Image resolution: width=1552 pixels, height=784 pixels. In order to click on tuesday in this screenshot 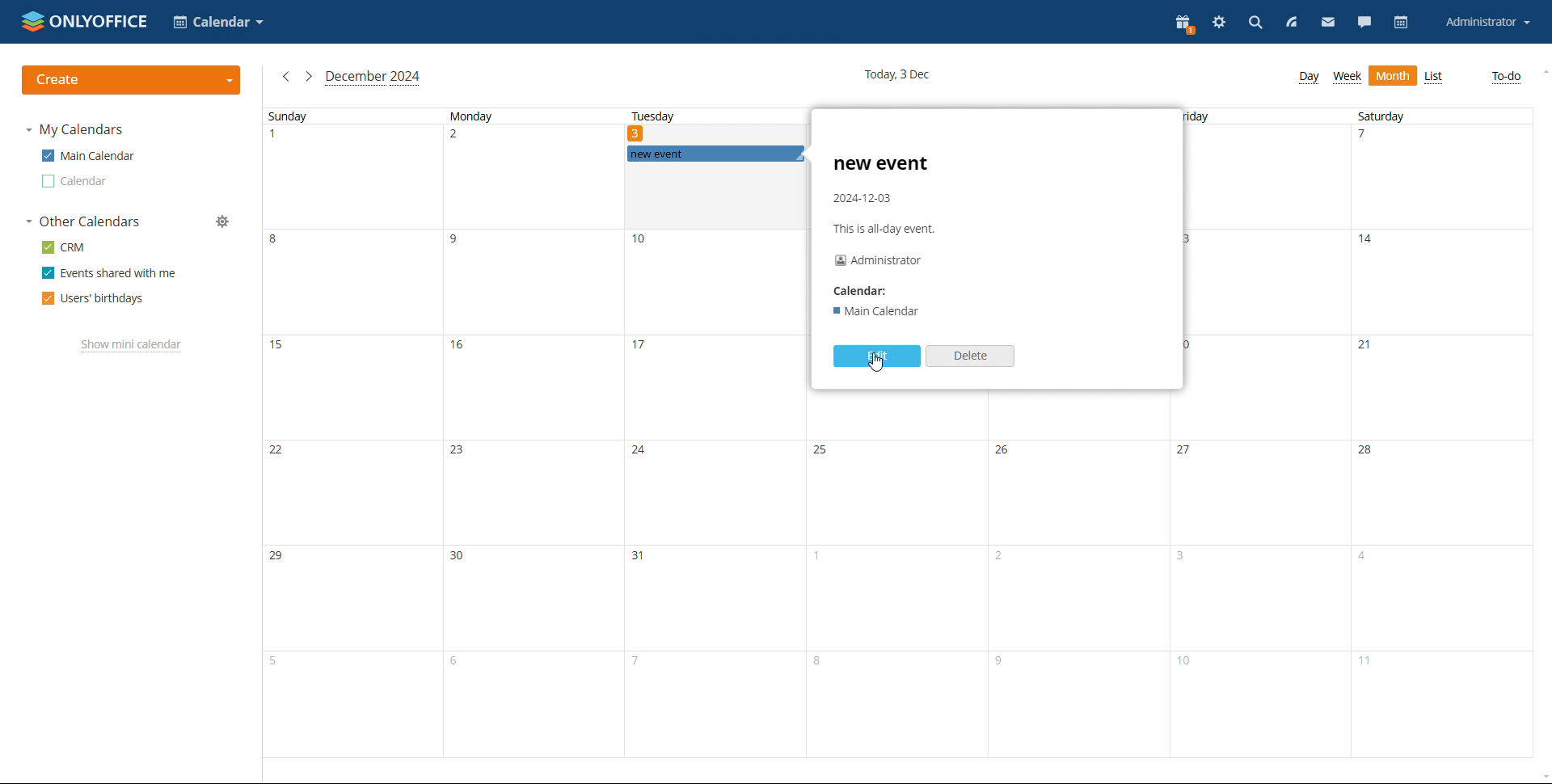, I will do `click(713, 487)`.